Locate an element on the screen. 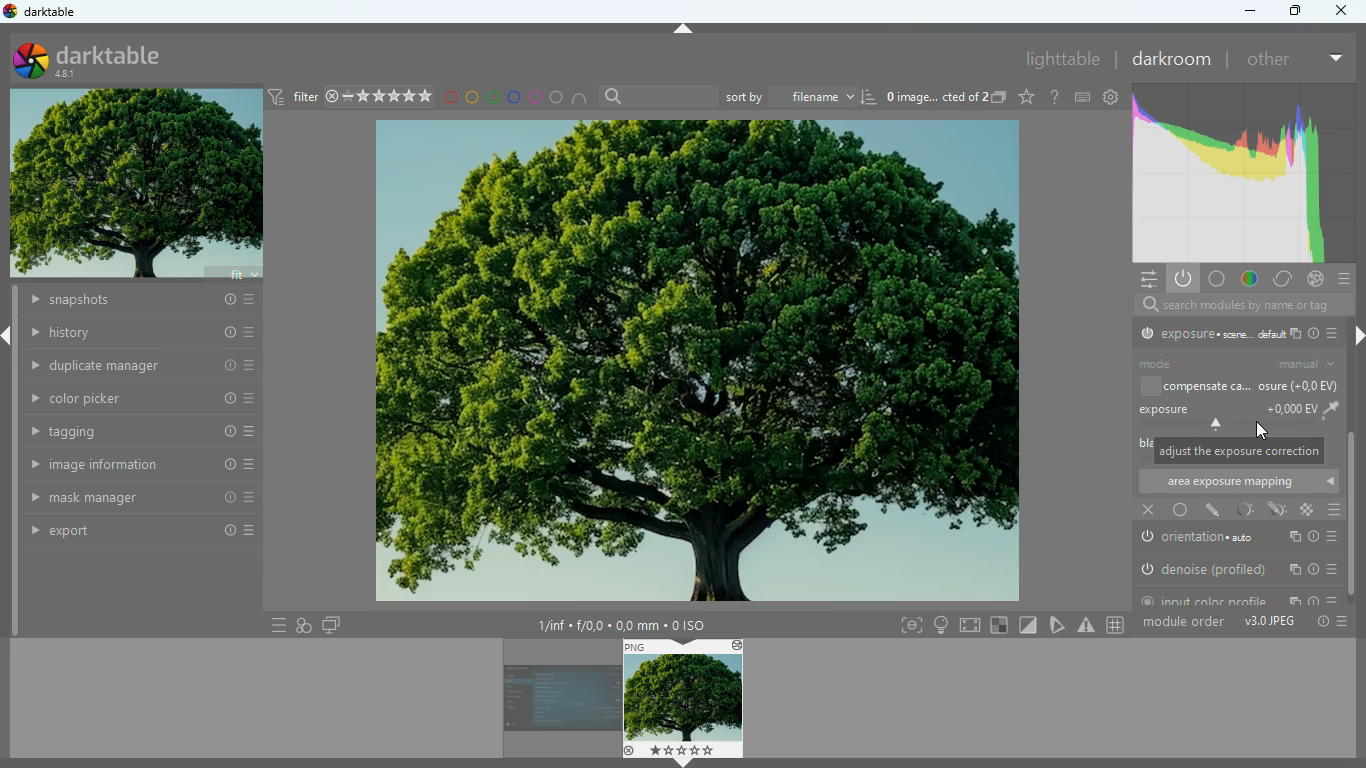  color is located at coordinates (1252, 278).